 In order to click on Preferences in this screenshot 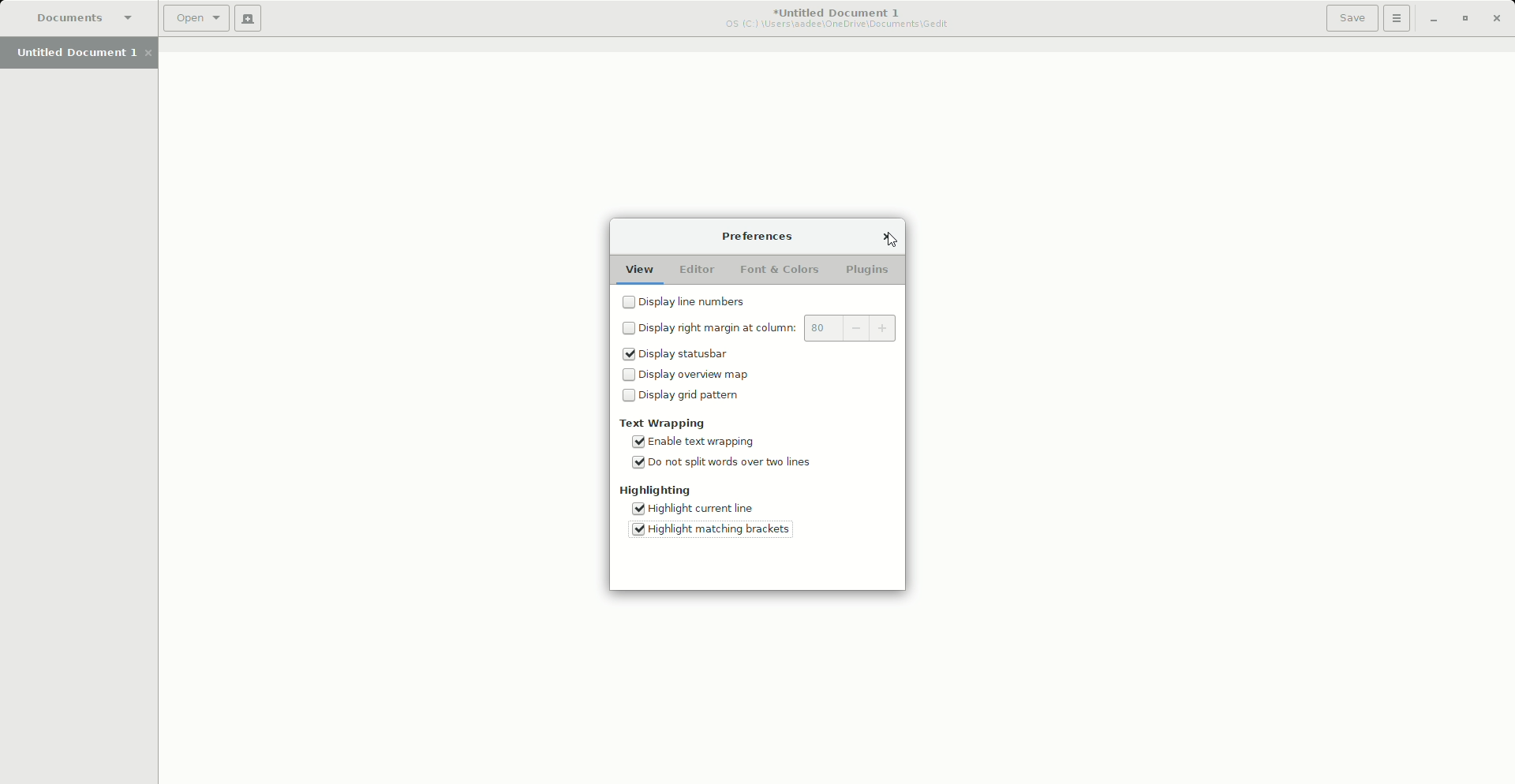, I will do `click(756, 236)`.